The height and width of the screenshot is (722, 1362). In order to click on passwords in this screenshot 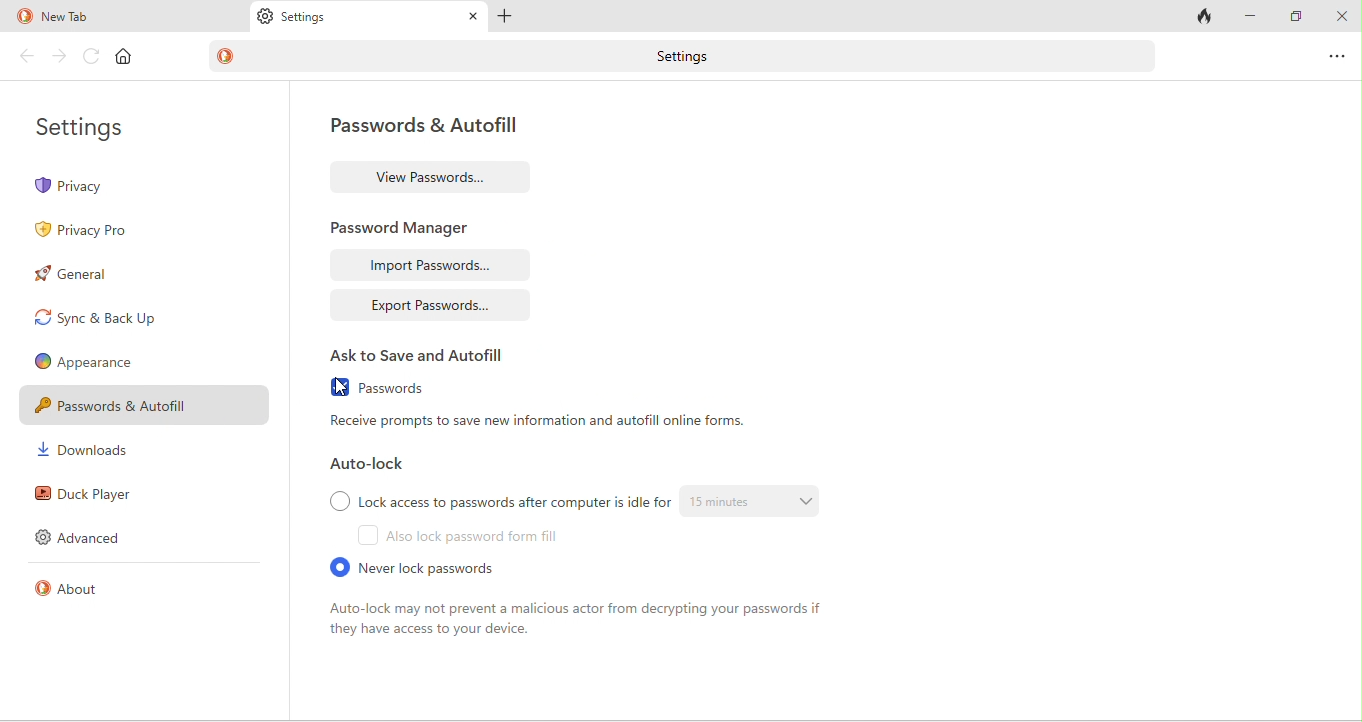, I will do `click(402, 386)`.